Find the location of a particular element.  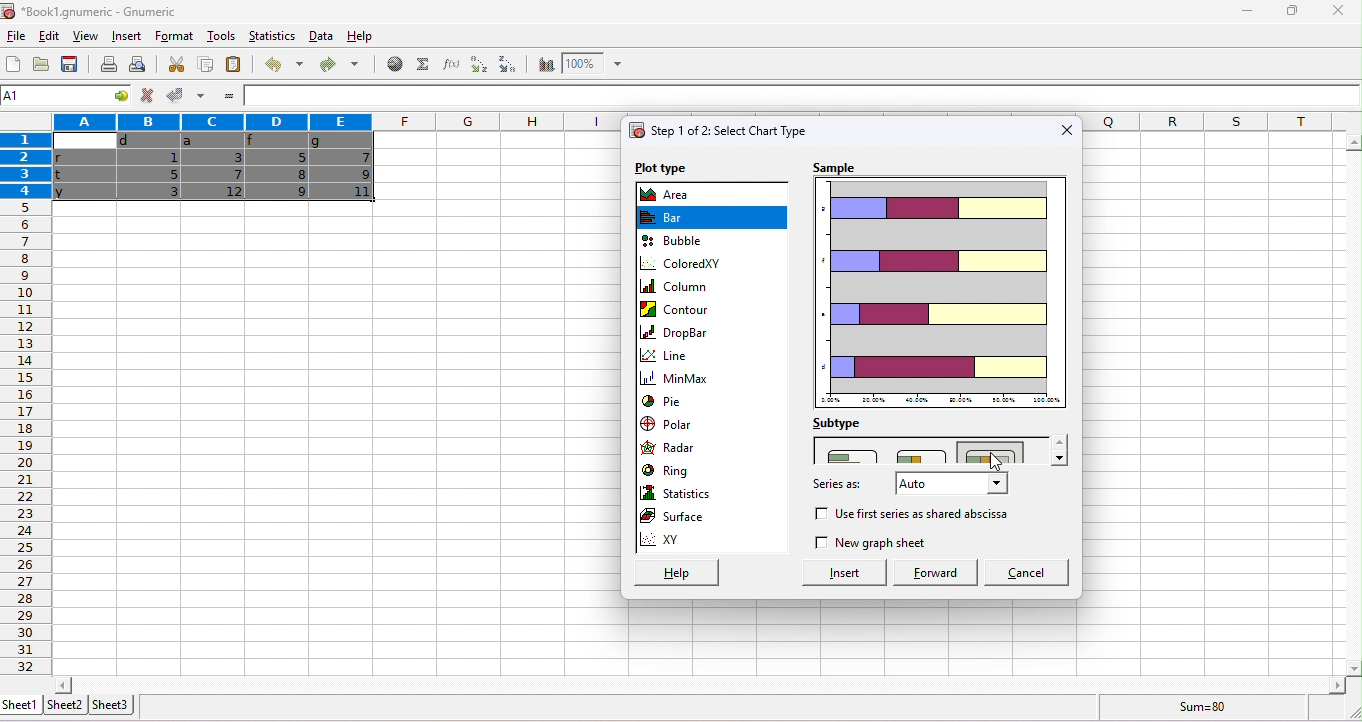

= is located at coordinates (231, 96).